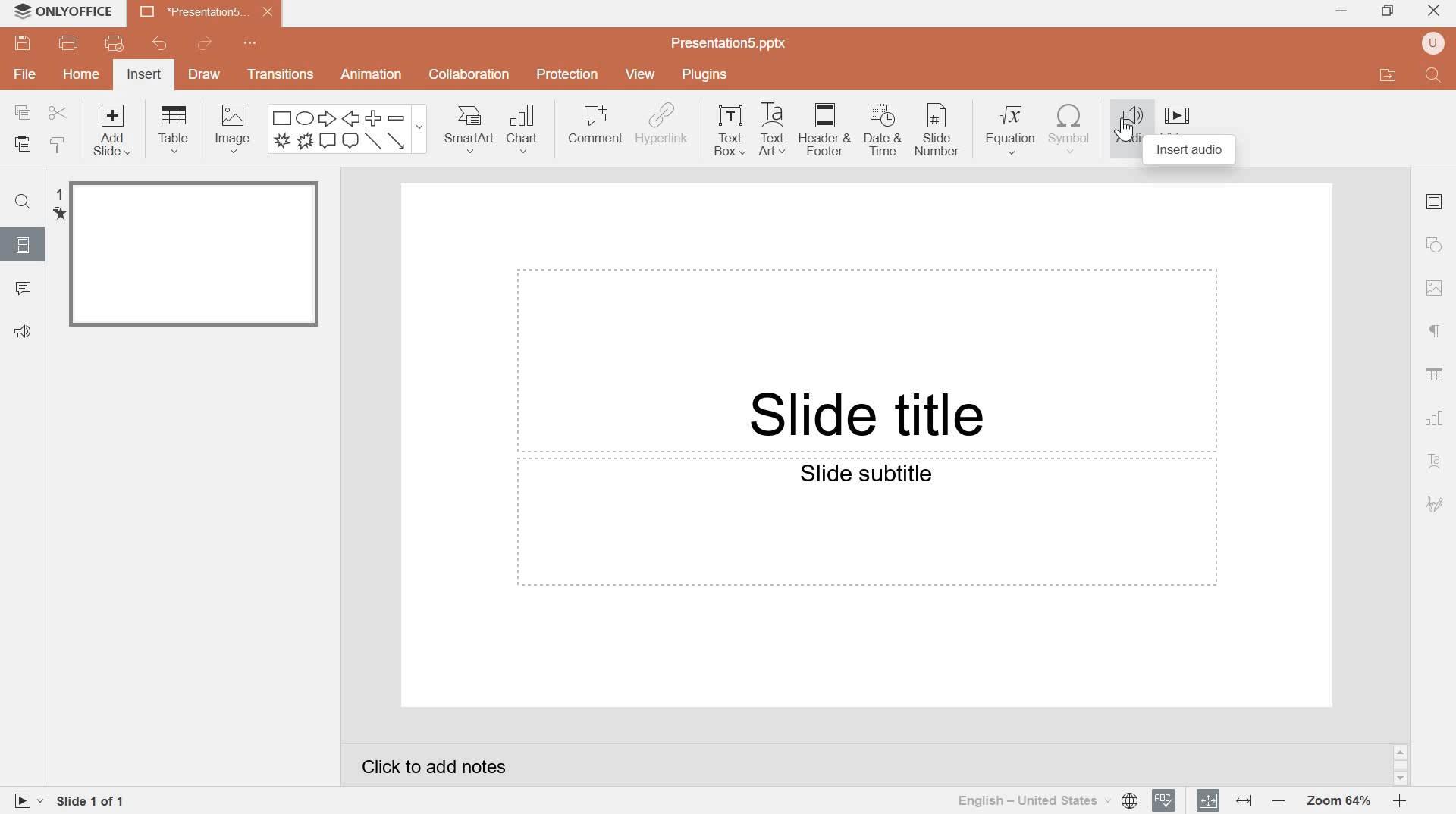 Image resolution: width=1456 pixels, height=814 pixels. What do you see at coordinates (643, 74) in the screenshot?
I see `view` at bounding box center [643, 74].